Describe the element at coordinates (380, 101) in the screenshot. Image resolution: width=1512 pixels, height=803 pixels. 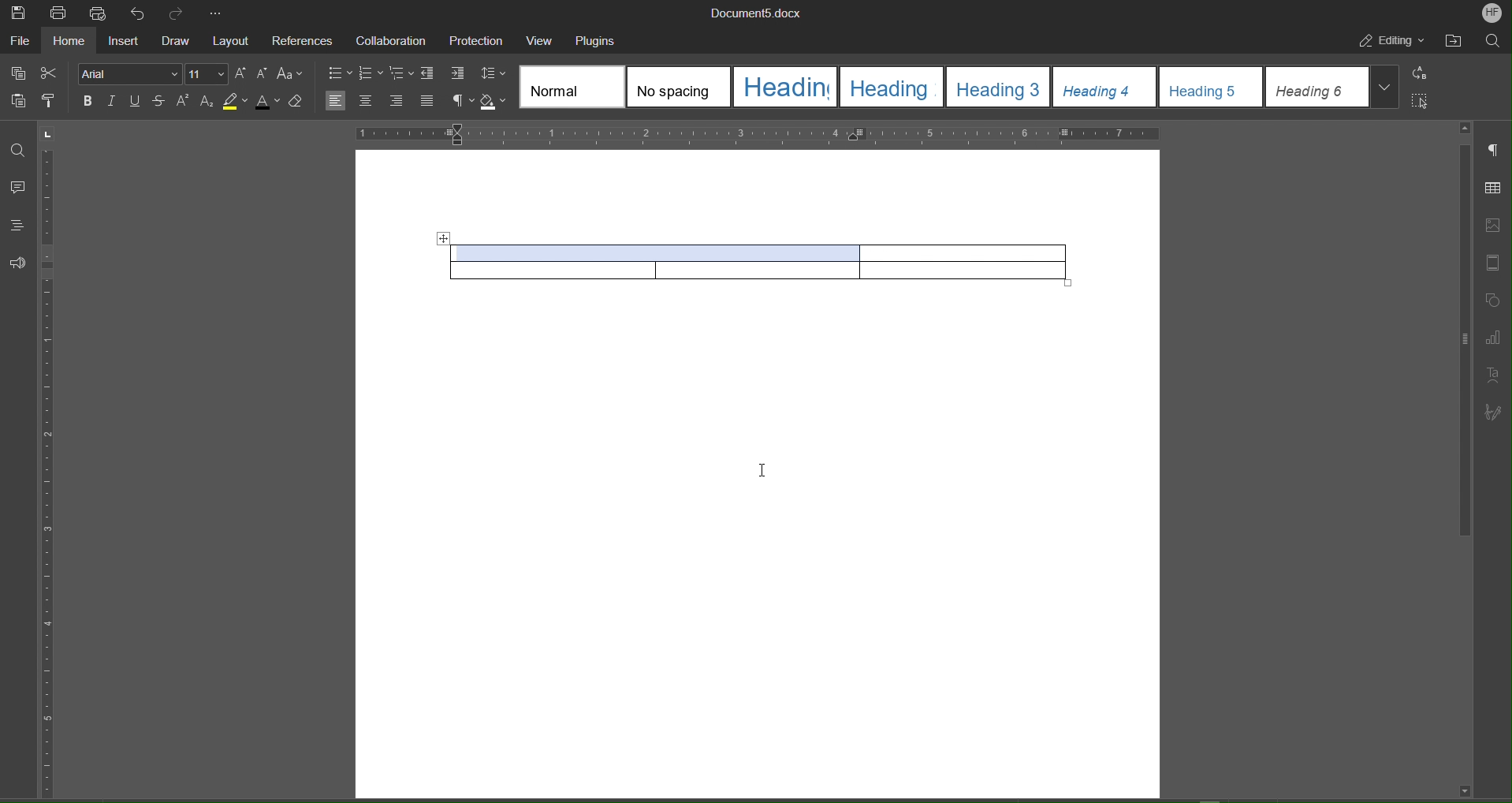
I see `Alignment` at that location.